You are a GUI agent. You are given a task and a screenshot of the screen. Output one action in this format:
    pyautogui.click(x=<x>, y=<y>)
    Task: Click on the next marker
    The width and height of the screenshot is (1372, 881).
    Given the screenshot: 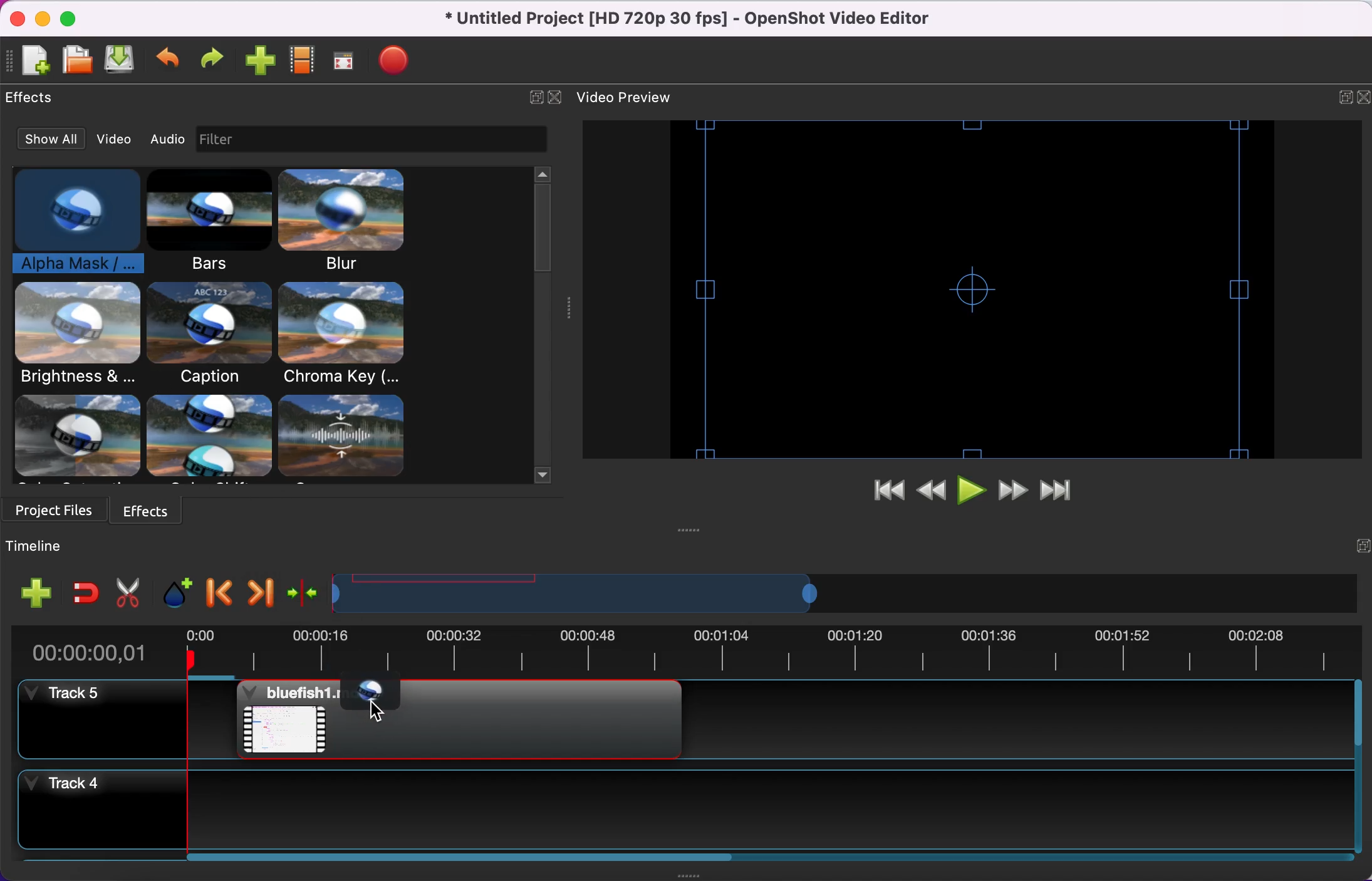 What is the action you would take?
    pyautogui.click(x=257, y=592)
    